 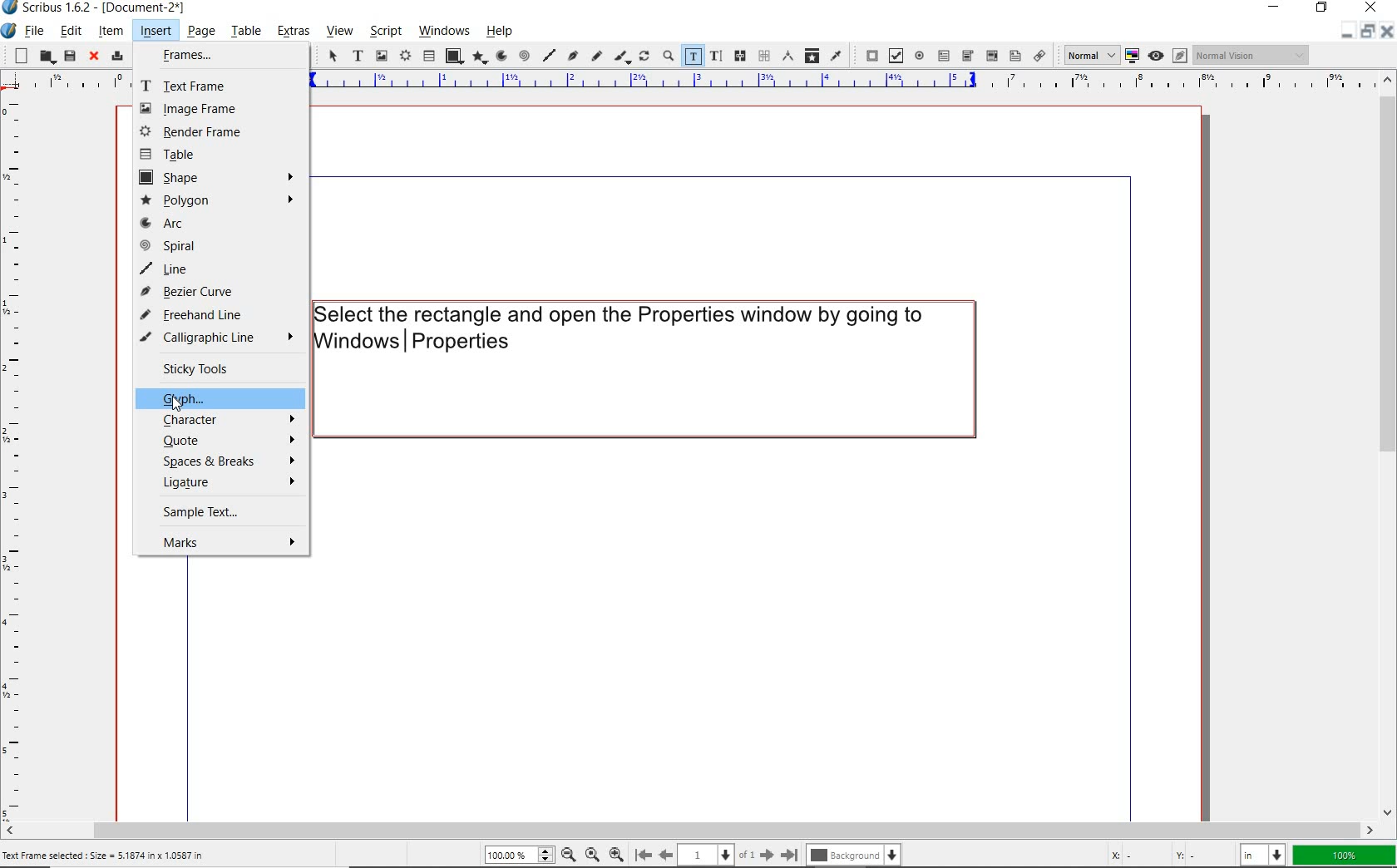 What do you see at coordinates (787, 55) in the screenshot?
I see `measurements` at bounding box center [787, 55].